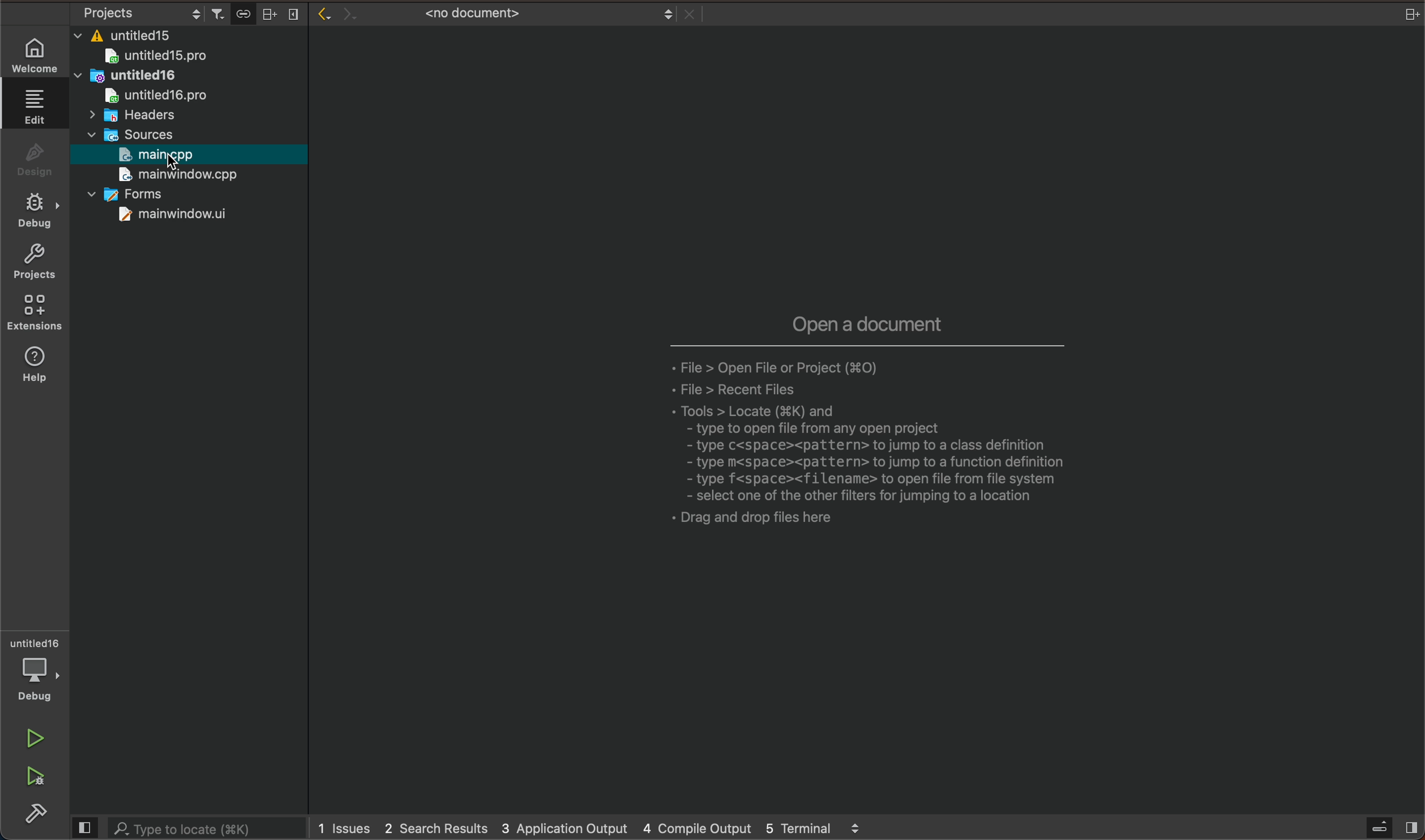 This screenshot has height=840, width=1425. What do you see at coordinates (33, 263) in the screenshot?
I see `projects` at bounding box center [33, 263].